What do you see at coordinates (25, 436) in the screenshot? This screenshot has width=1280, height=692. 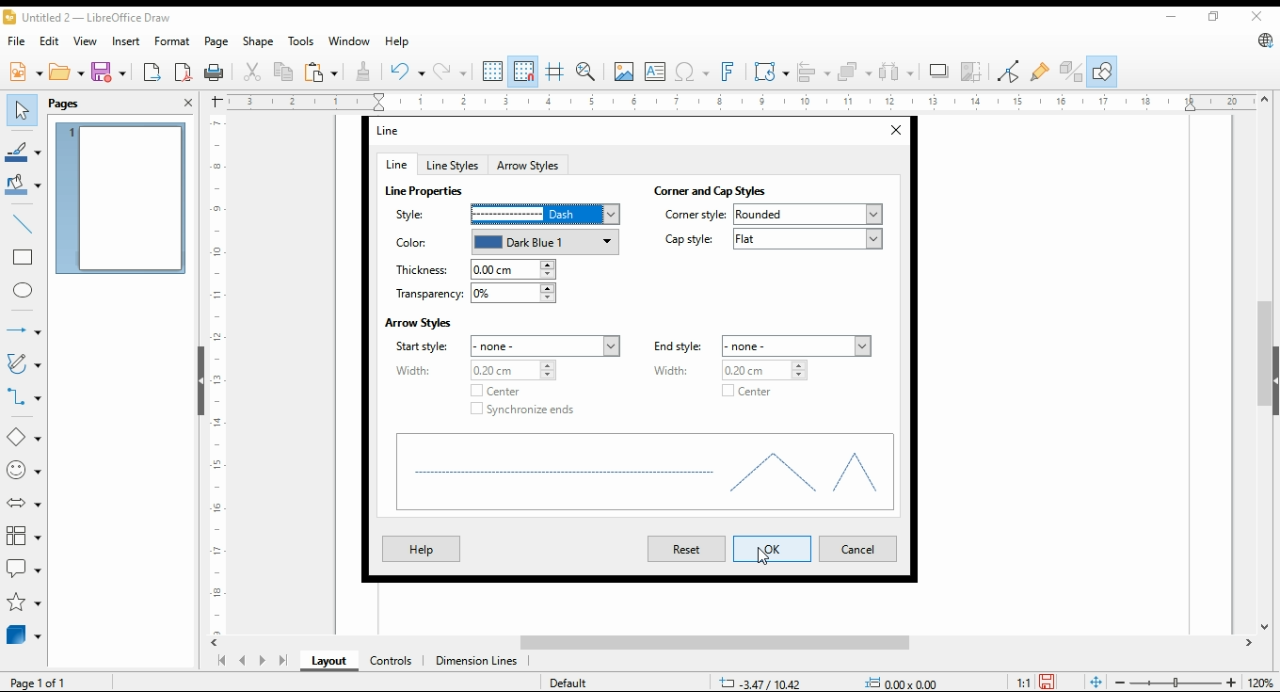 I see `simple shapes` at bounding box center [25, 436].